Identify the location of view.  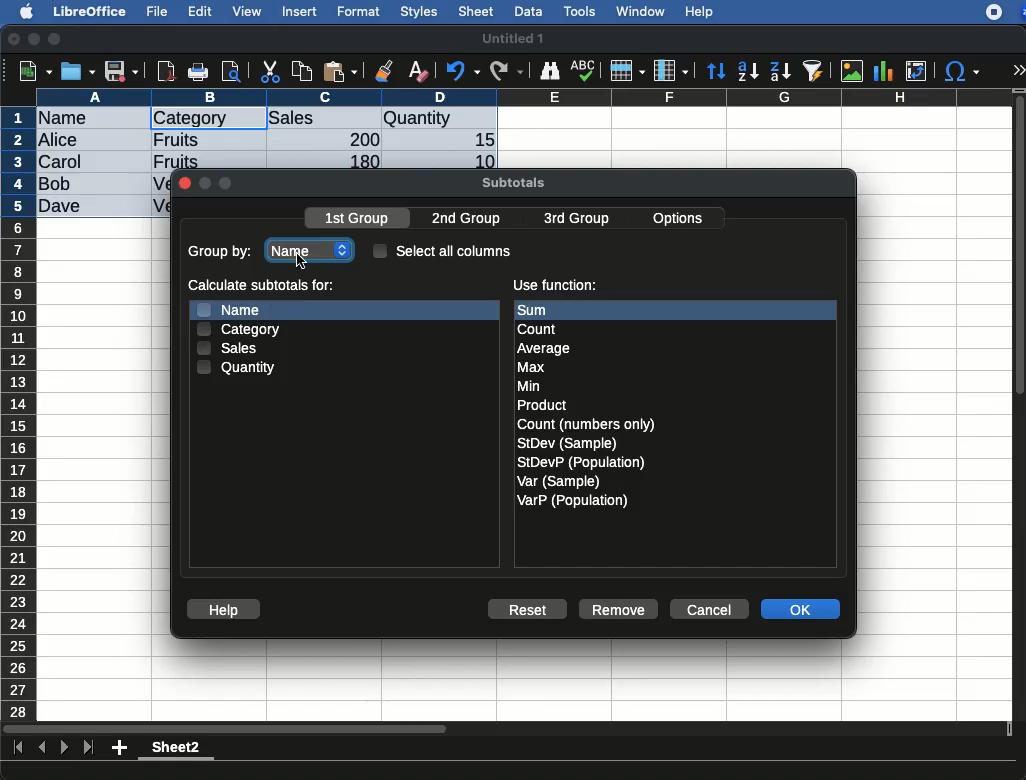
(247, 11).